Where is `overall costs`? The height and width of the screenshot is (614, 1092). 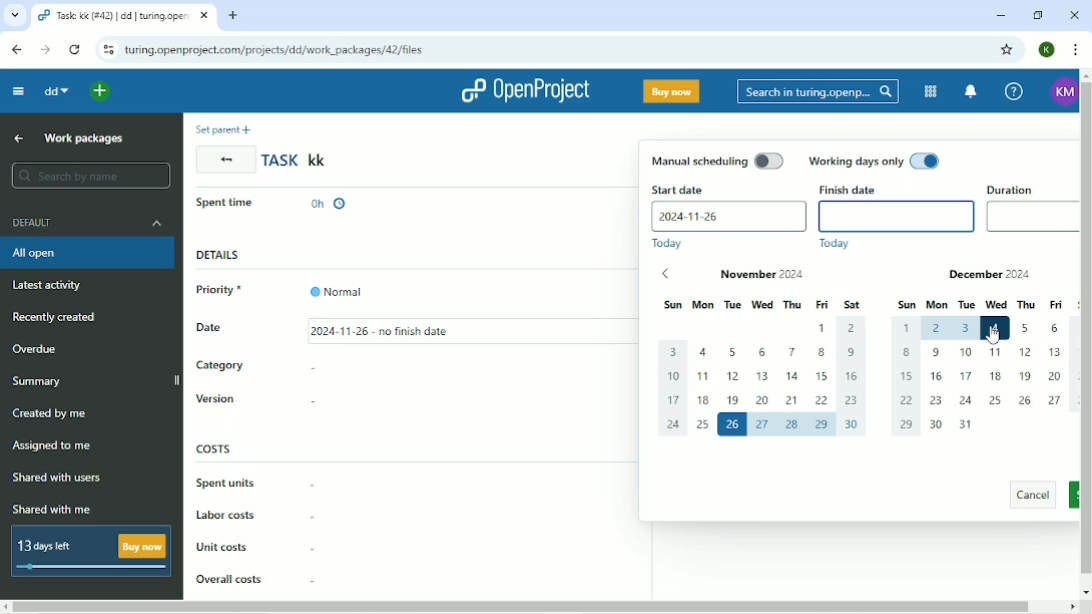
overall costs is located at coordinates (255, 575).